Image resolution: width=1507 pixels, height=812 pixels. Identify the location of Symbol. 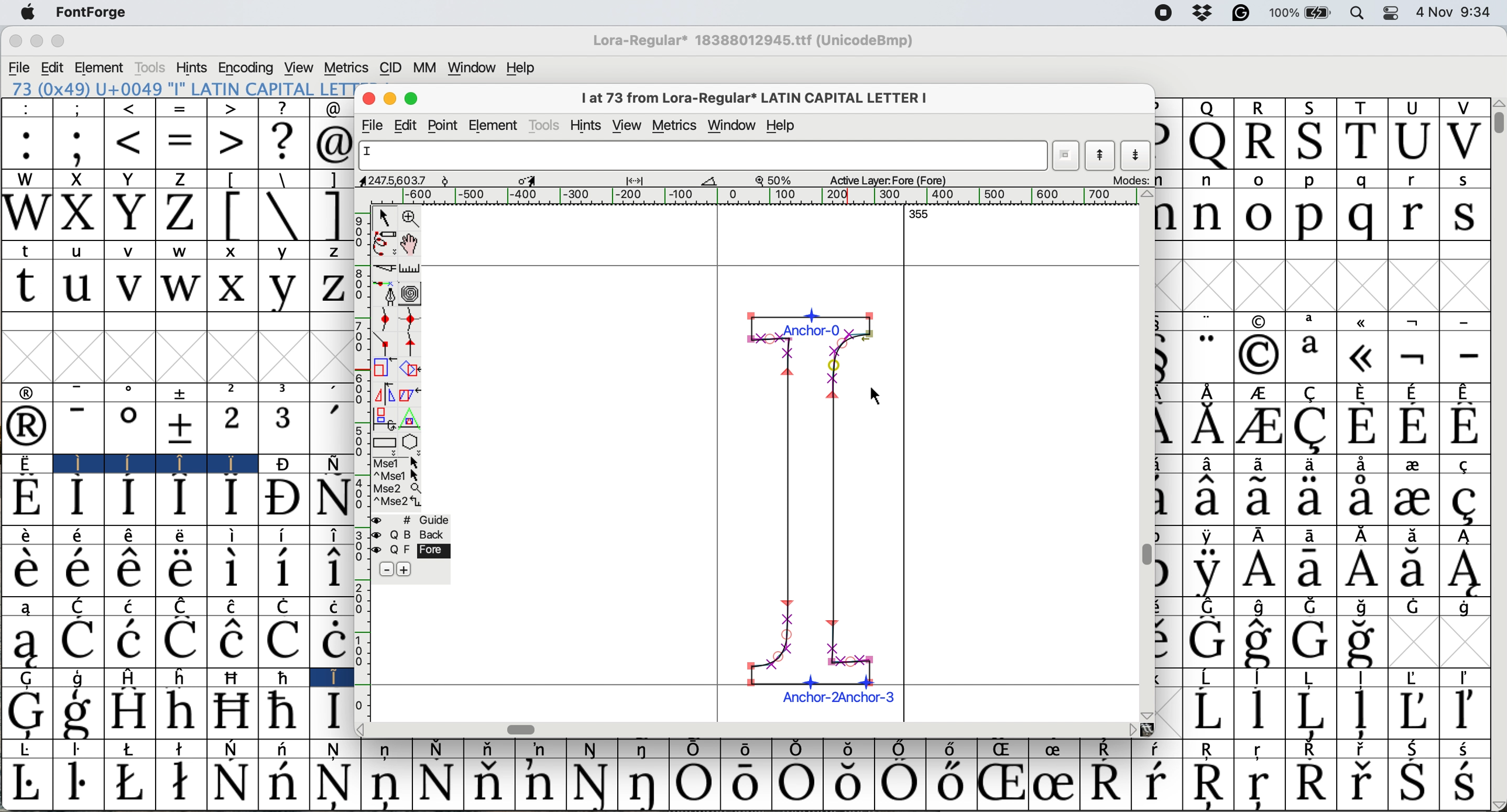
(29, 785).